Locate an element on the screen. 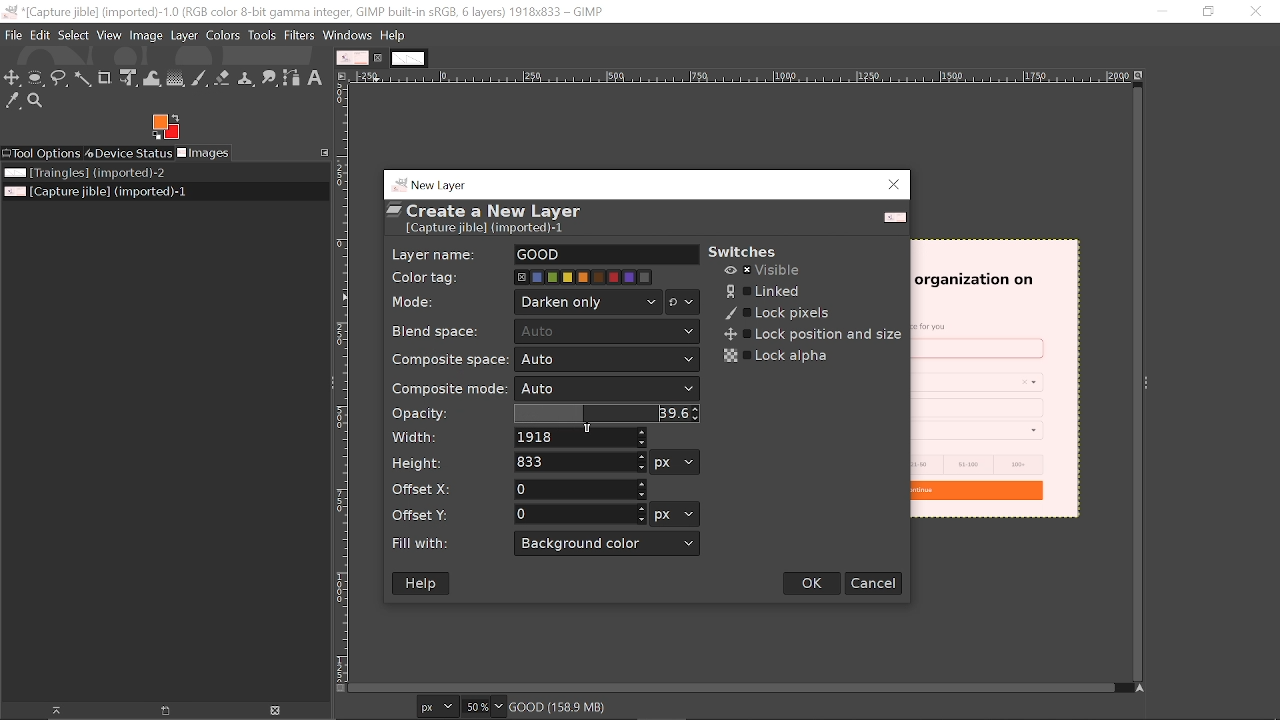 The height and width of the screenshot is (720, 1280). Image file titled "Triangles" is located at coordinates (108, 173).